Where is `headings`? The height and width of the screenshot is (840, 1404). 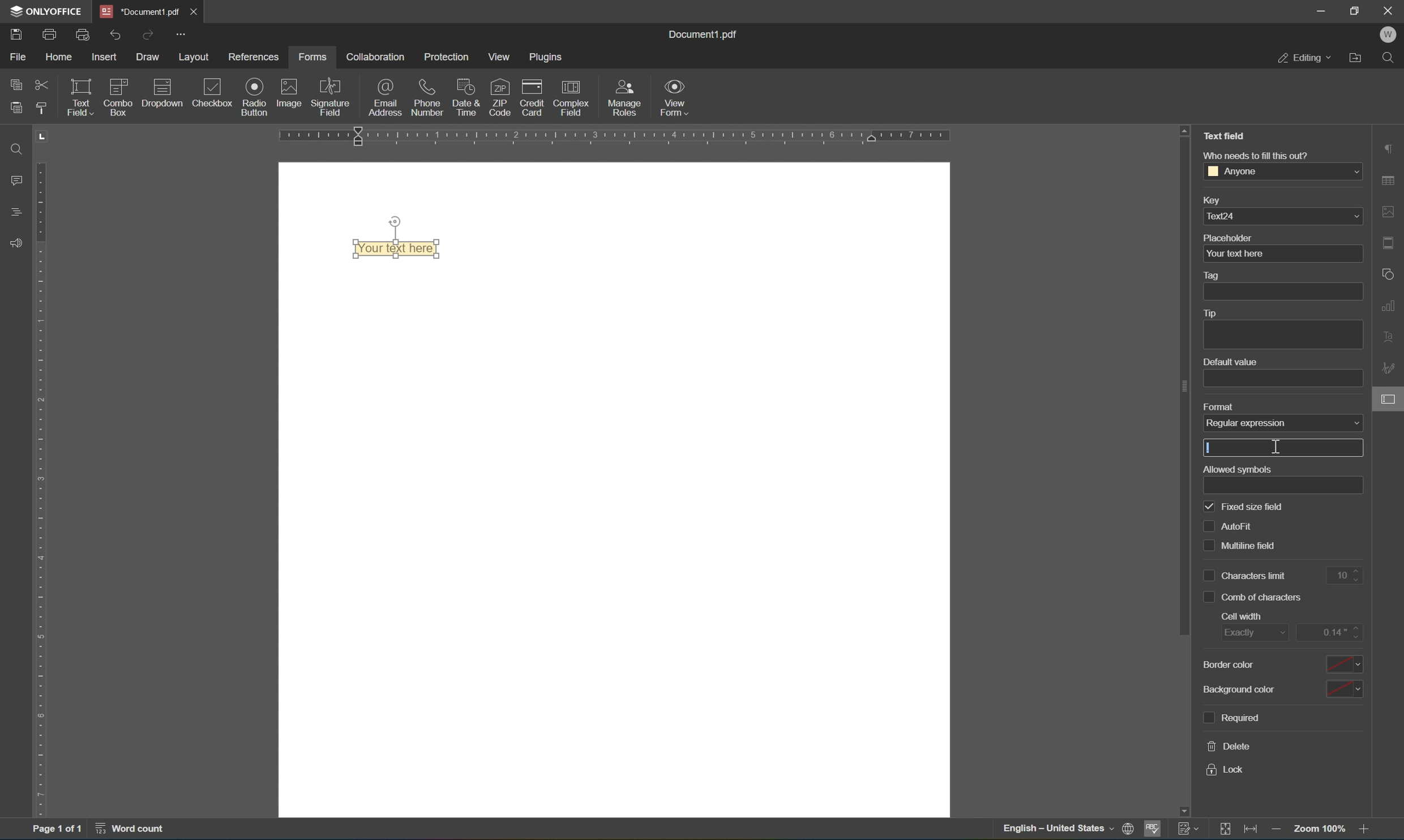
headings is located at coordinates (18, 211).